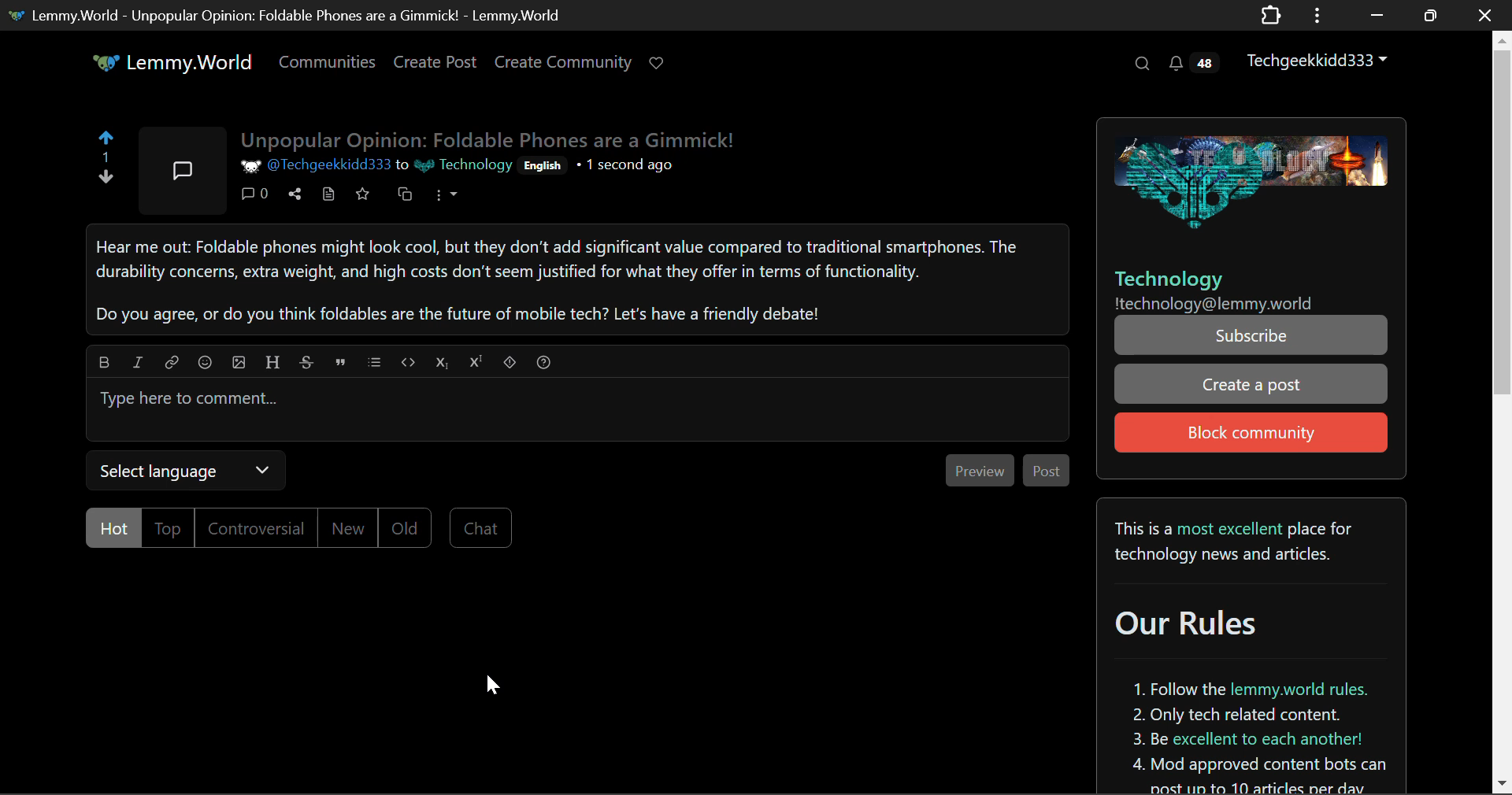 This screenshot has height=795, width=1512. I want to click on Post Title, so click(491, 139).